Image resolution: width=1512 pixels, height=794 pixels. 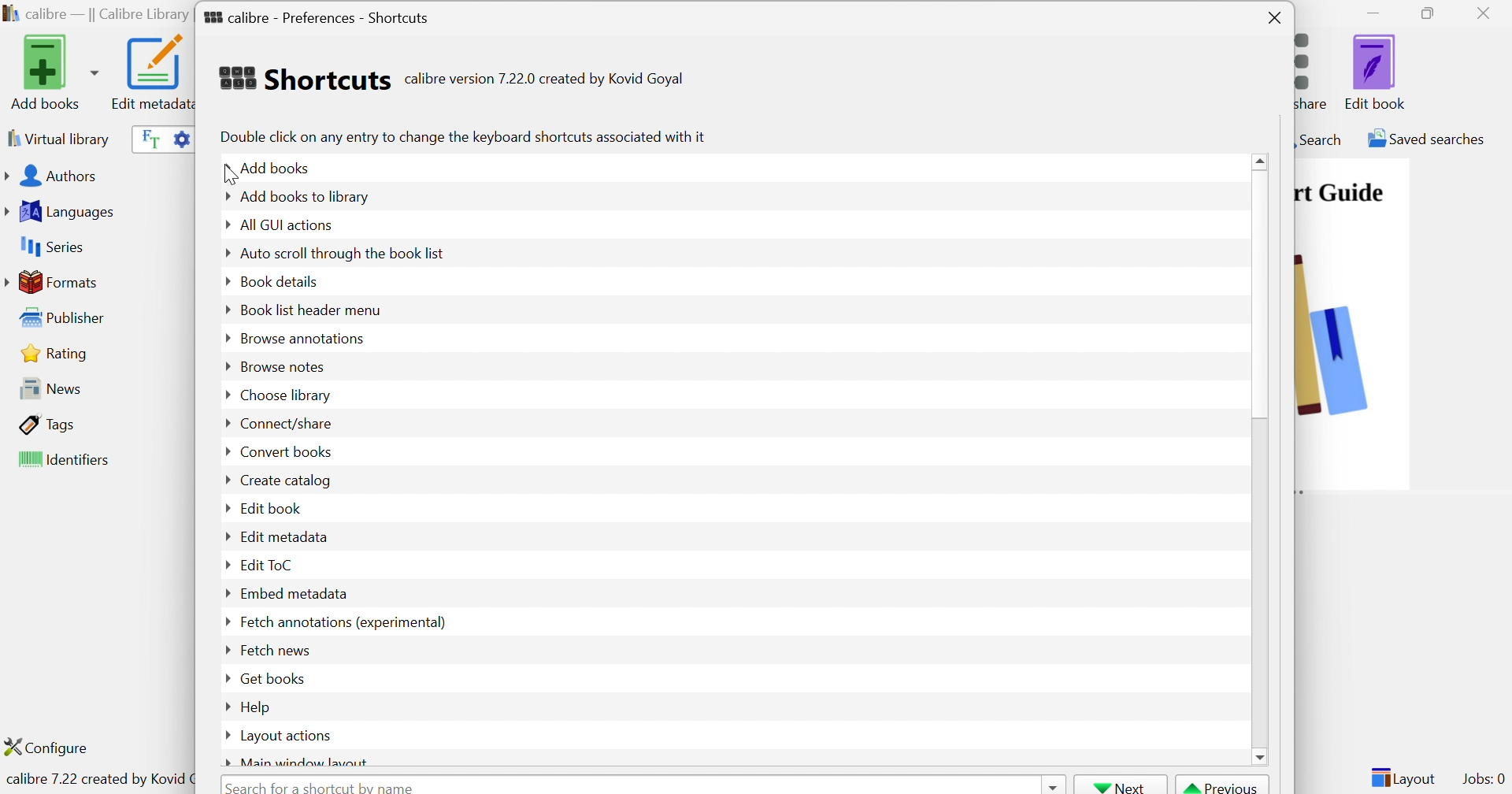 I want to click on Series, so click(x=50, y=247).